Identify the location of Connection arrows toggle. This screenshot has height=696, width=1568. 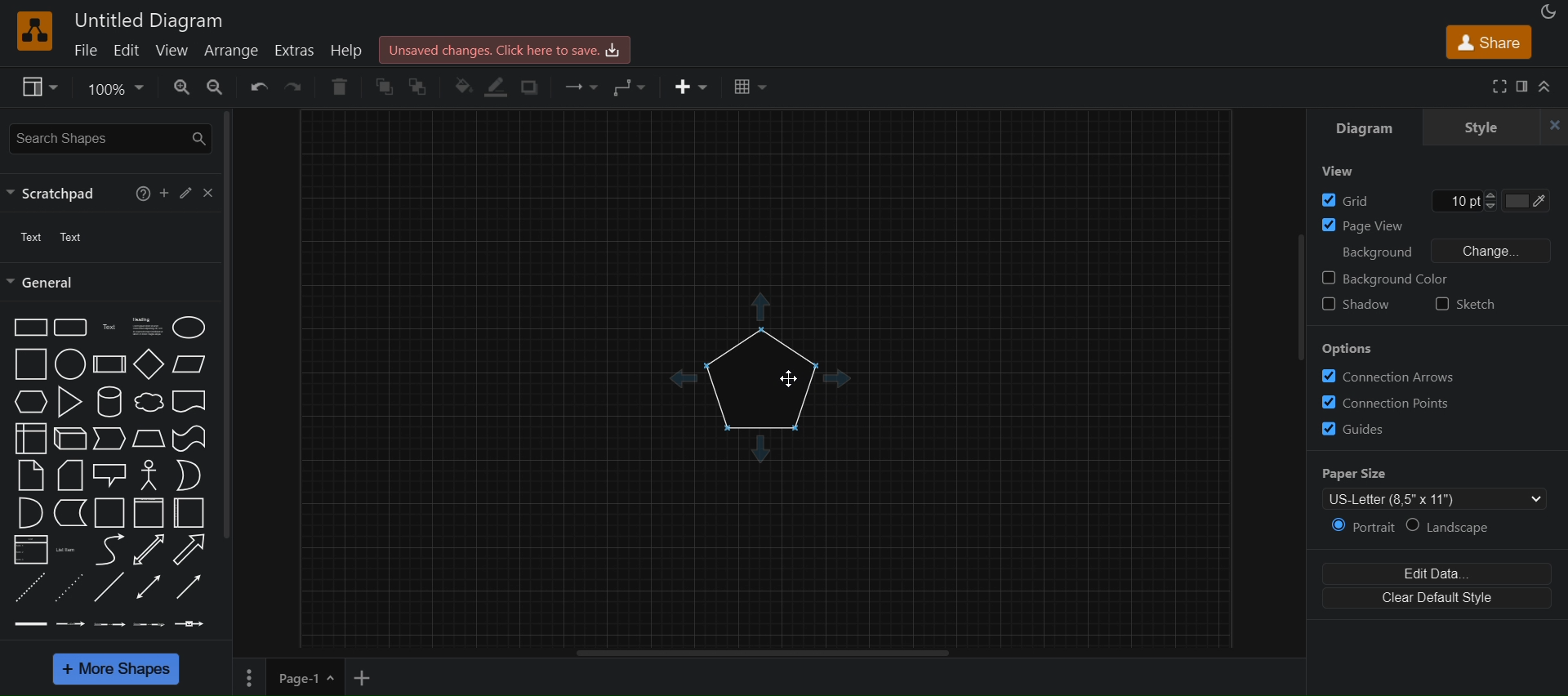
(1390, 377).